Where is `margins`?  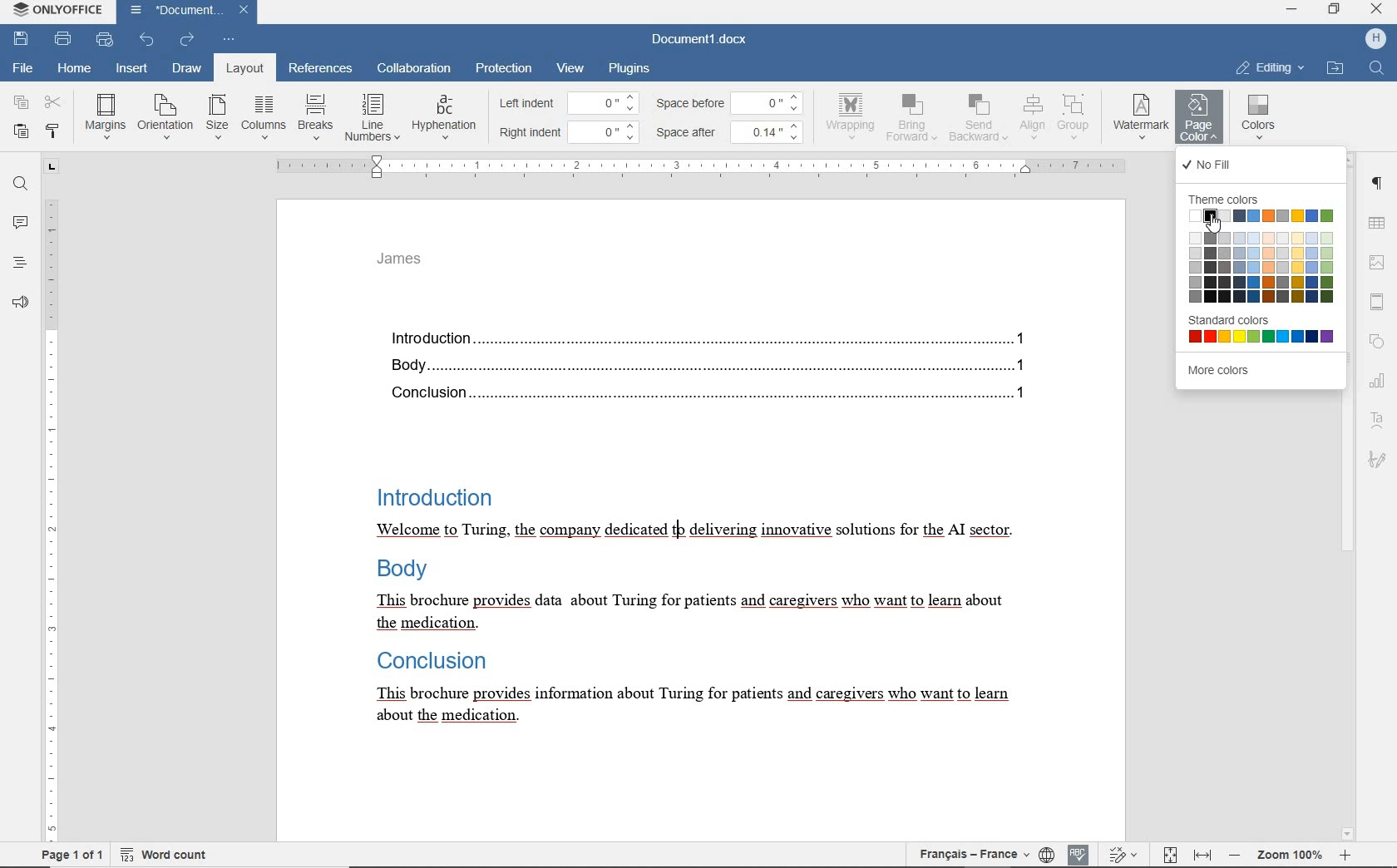 margins is located at coordinates (106, 116).